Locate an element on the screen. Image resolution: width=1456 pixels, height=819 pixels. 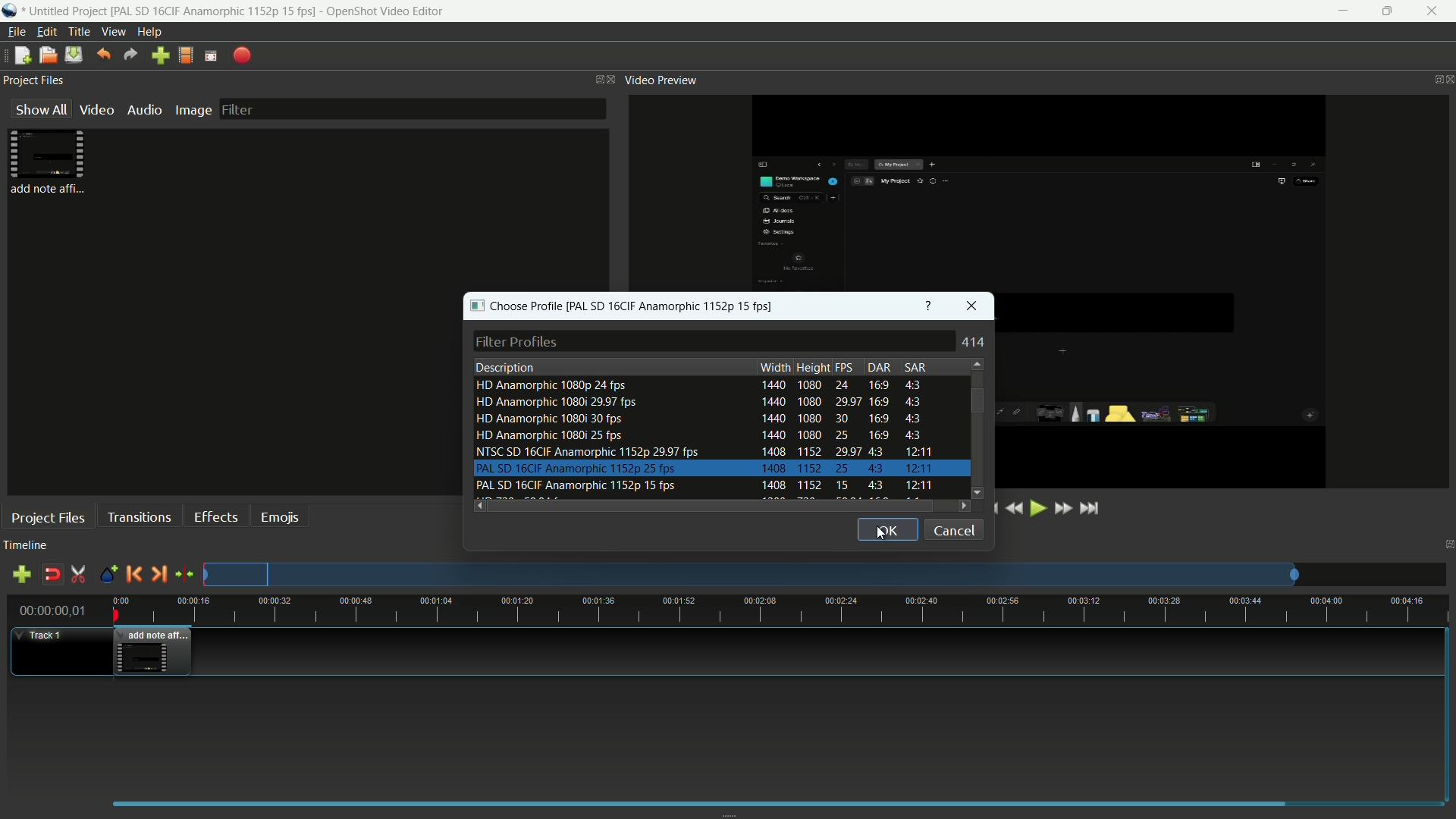
time is located at coordinates (789, 610).